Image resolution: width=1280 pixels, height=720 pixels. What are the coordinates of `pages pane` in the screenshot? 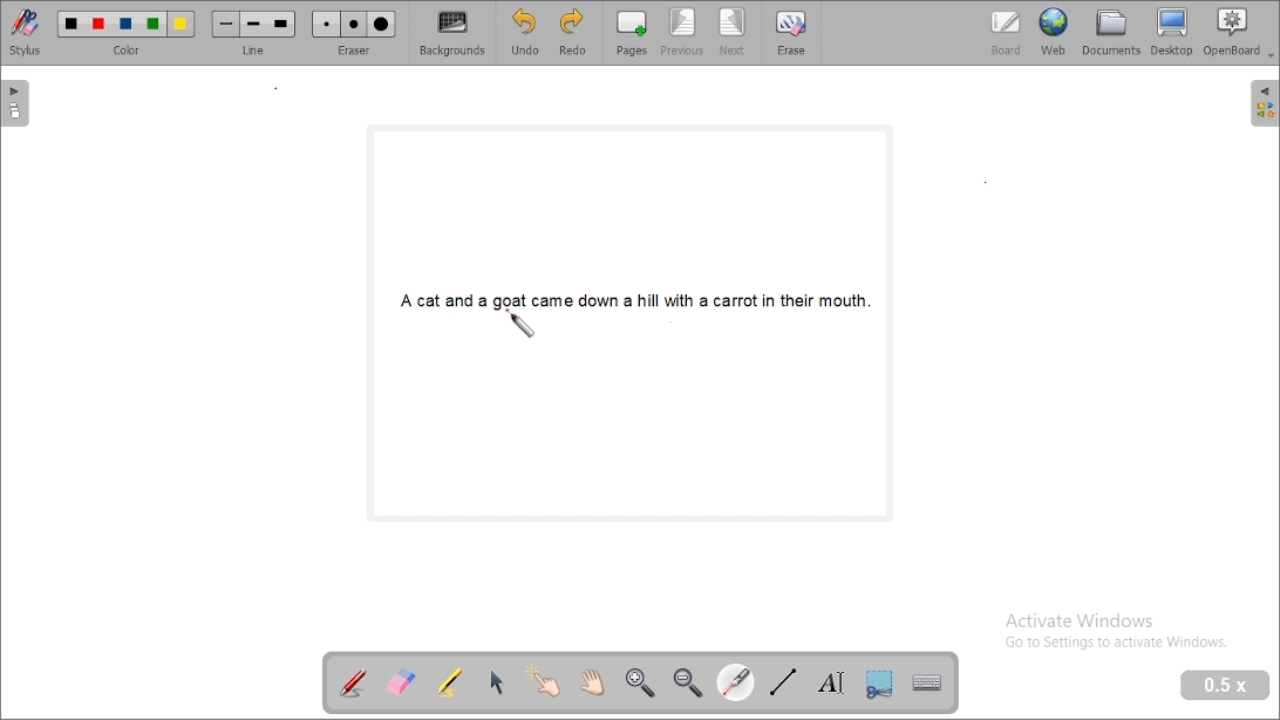 It's located at (18, 103).